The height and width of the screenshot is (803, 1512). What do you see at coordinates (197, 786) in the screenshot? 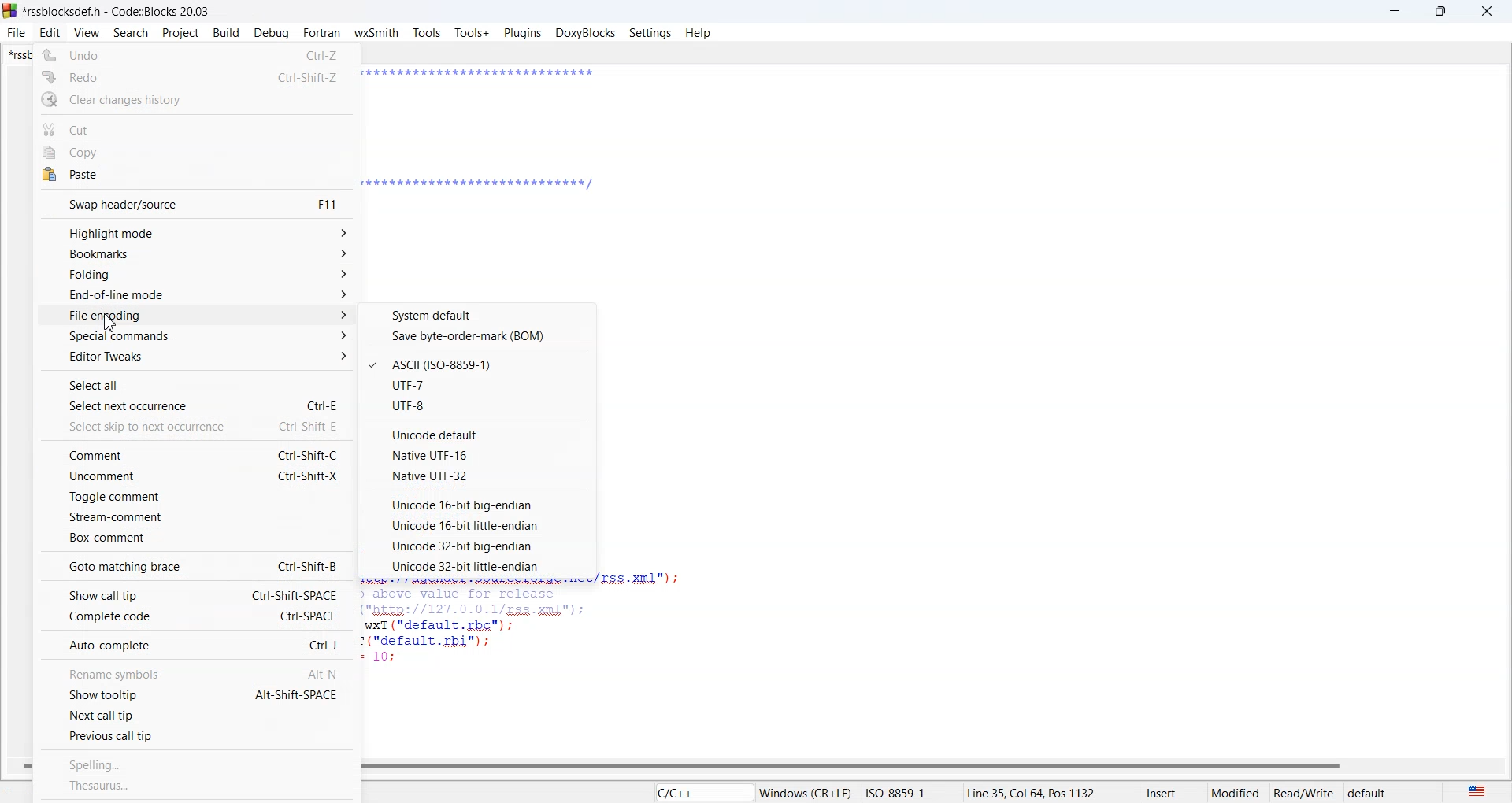
I see `Thesaurus` at bounding box center [197, 786].